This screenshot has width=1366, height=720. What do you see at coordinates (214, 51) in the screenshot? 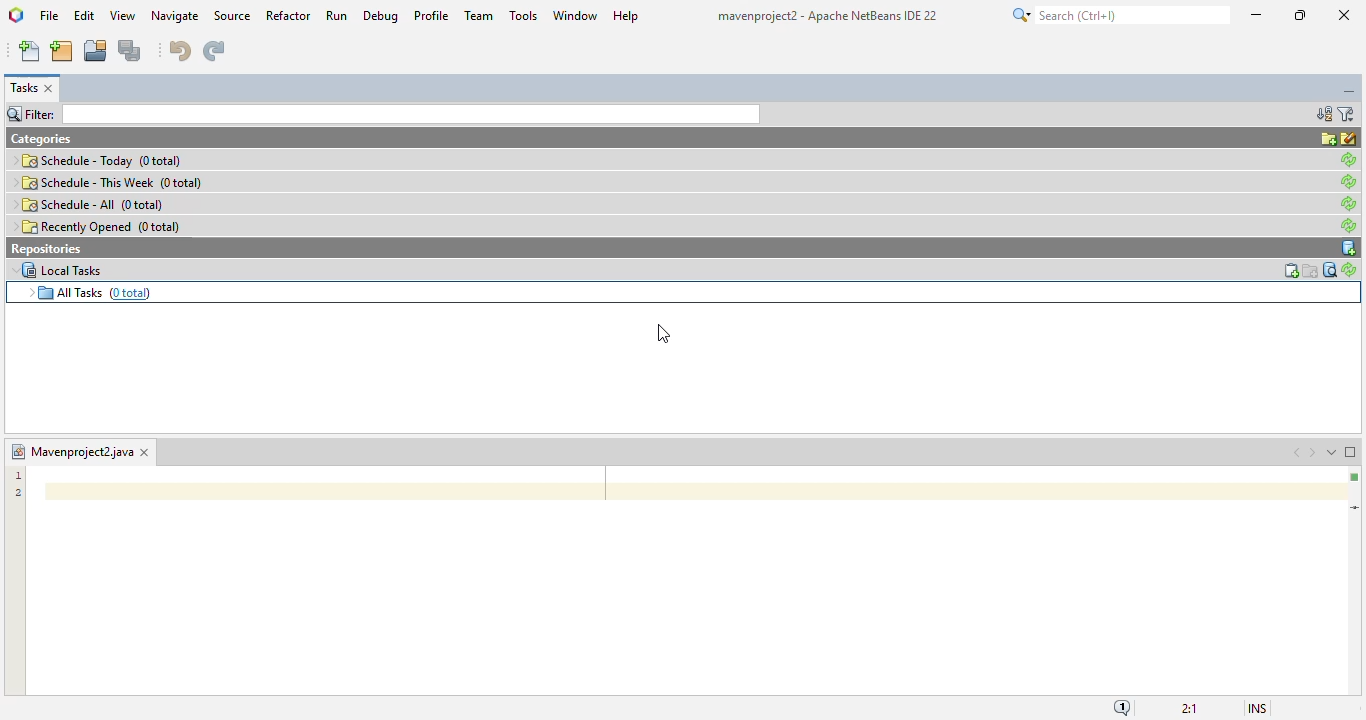
I see `redo` at bounding box center [214, 51].